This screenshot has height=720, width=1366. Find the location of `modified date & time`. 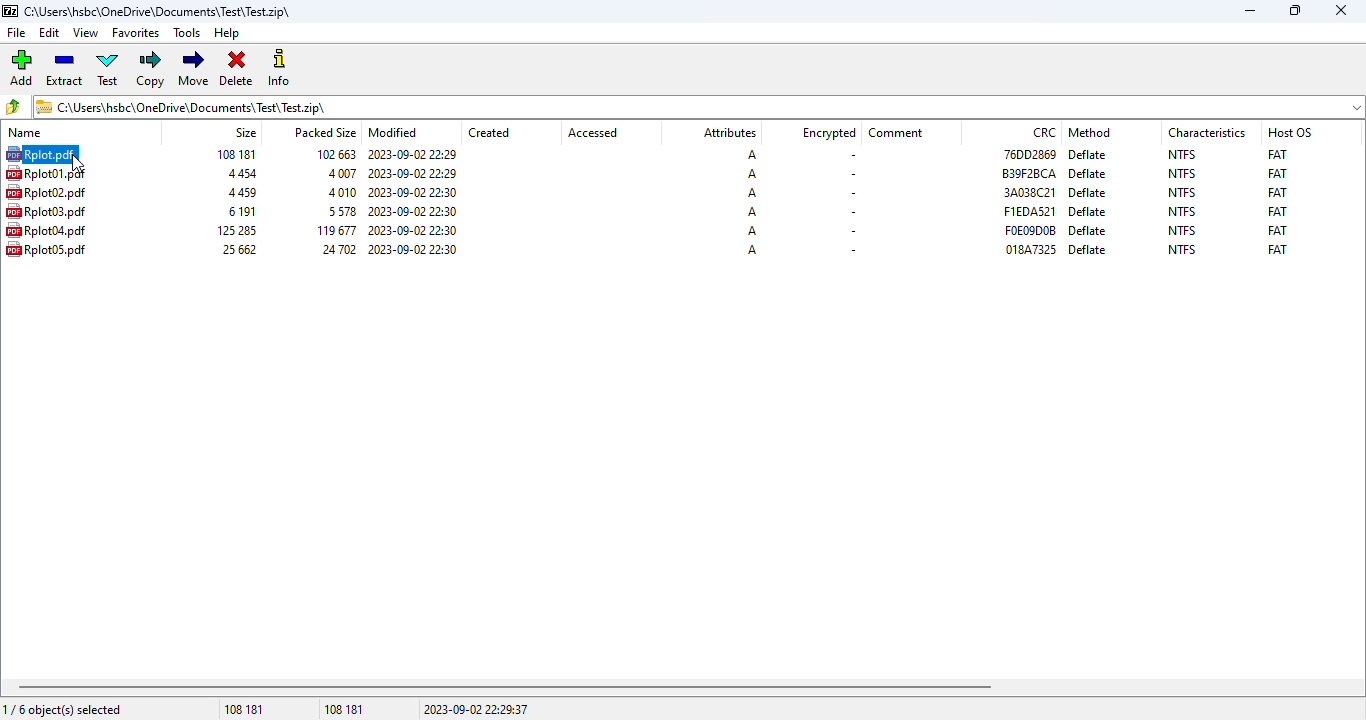

modified date & time is located at coordinates (413, 192).